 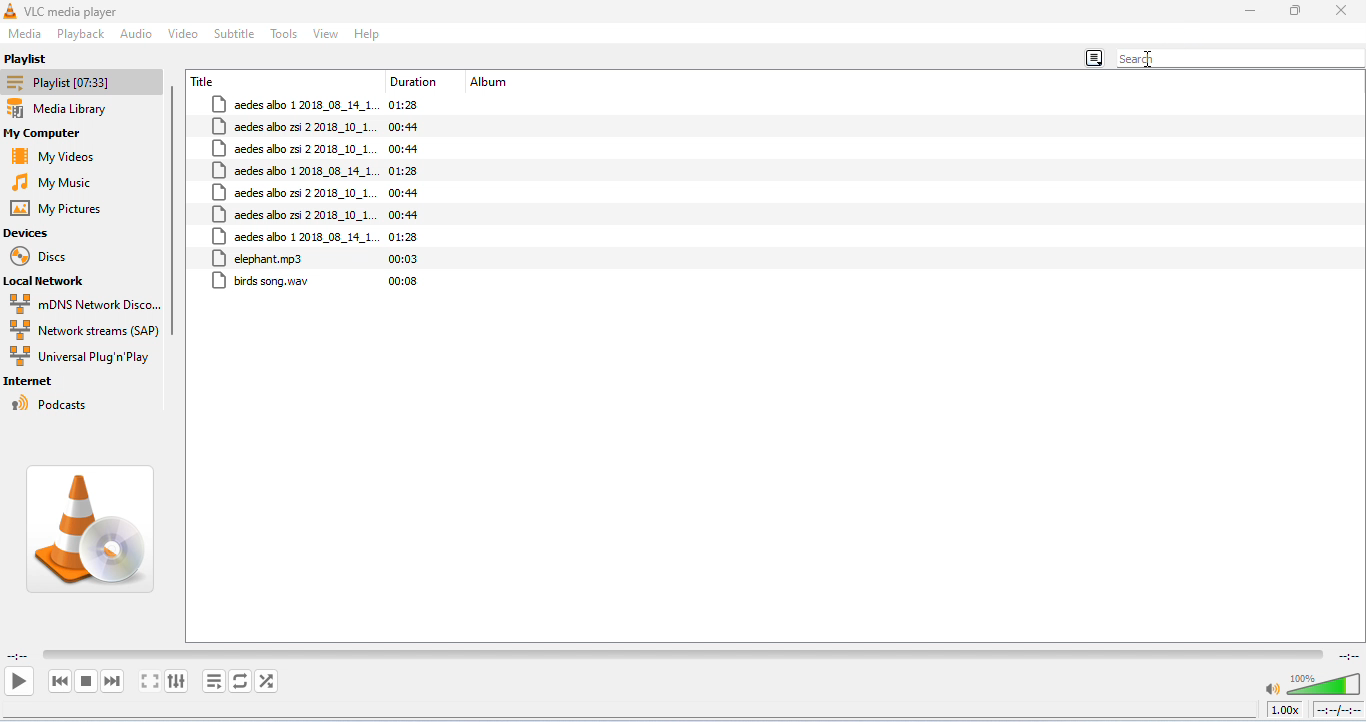 What do you see at coordinates (260, 258) in the screenshot?
I see `elephant.mp3` at bounding box center [260, 258].